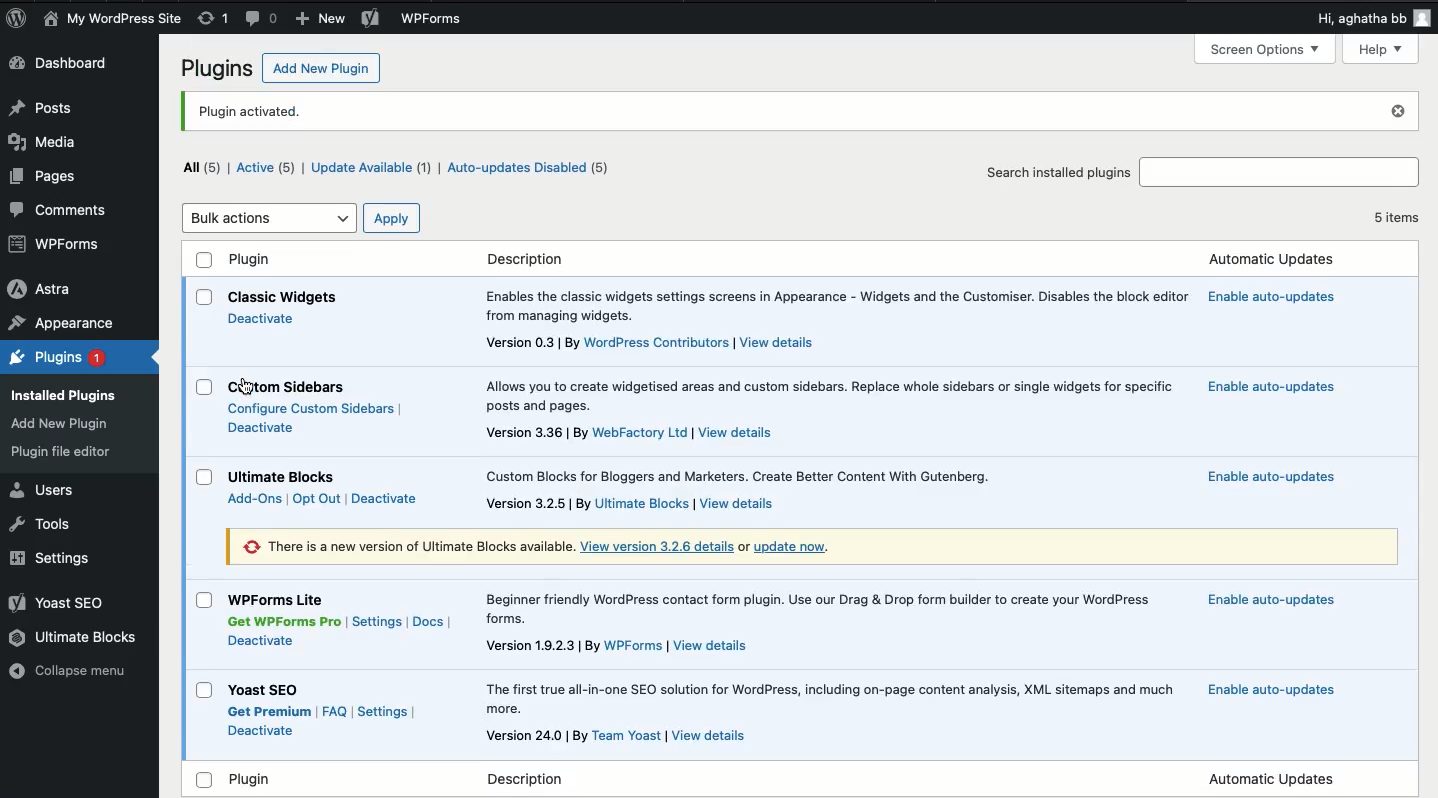  Describe the element at coordinates (284, 295) in the screenshot. I see `Classic widgets` at that location.